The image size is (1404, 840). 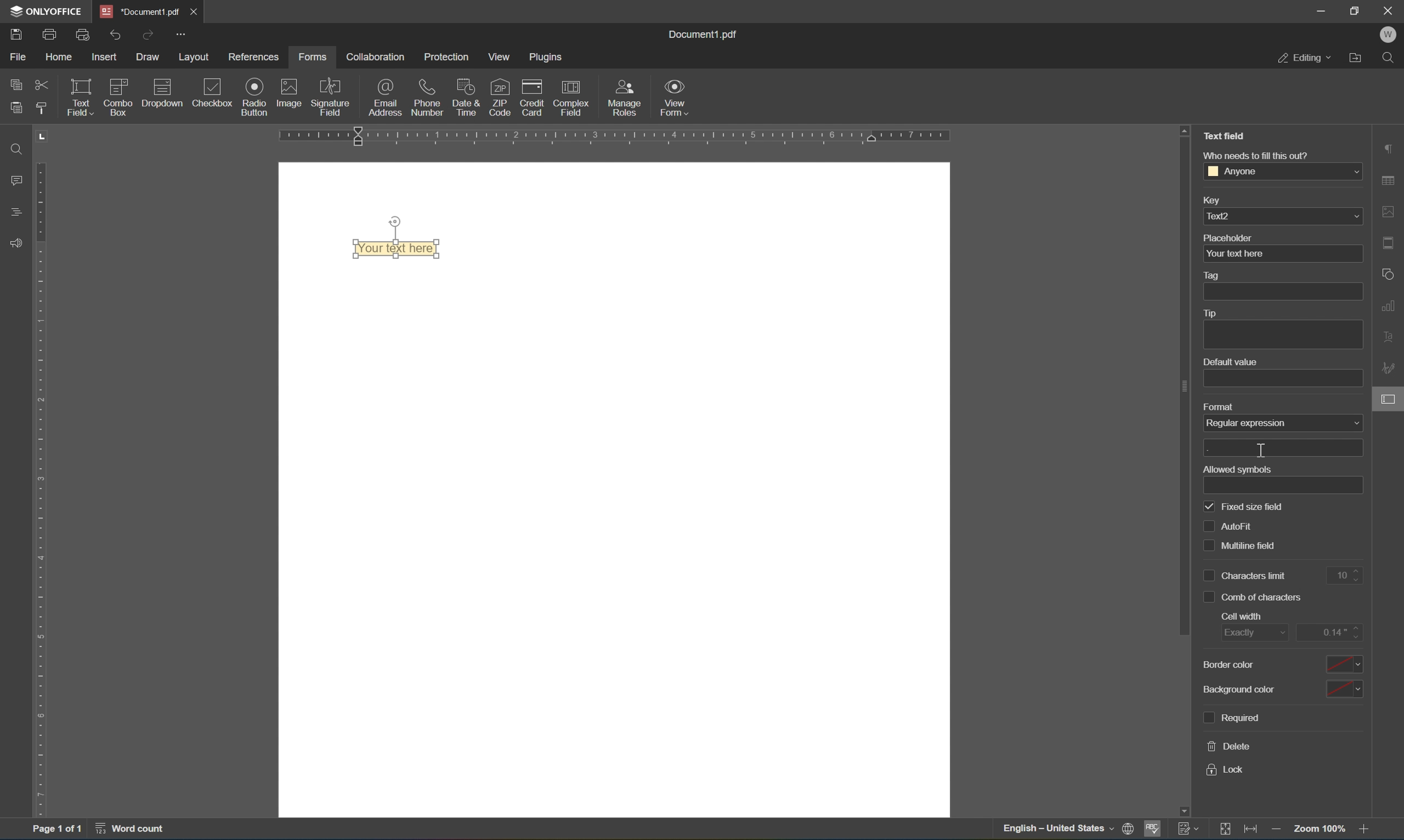 I want to click on editing, so click(x=1302, y=58).